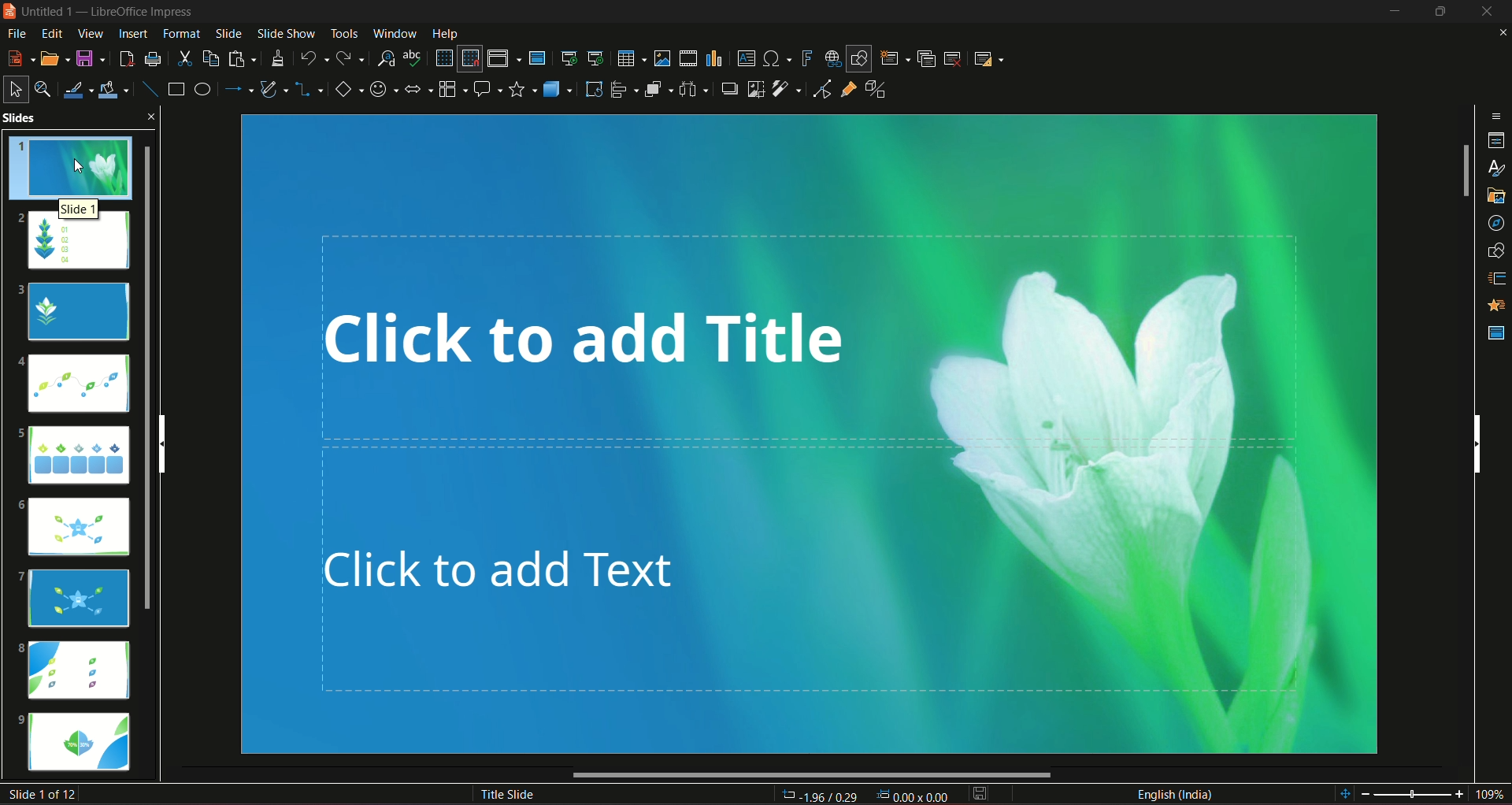 The width and height of the screenshot is (1512, 805). I want to click on dimensions, so click(864, 794).